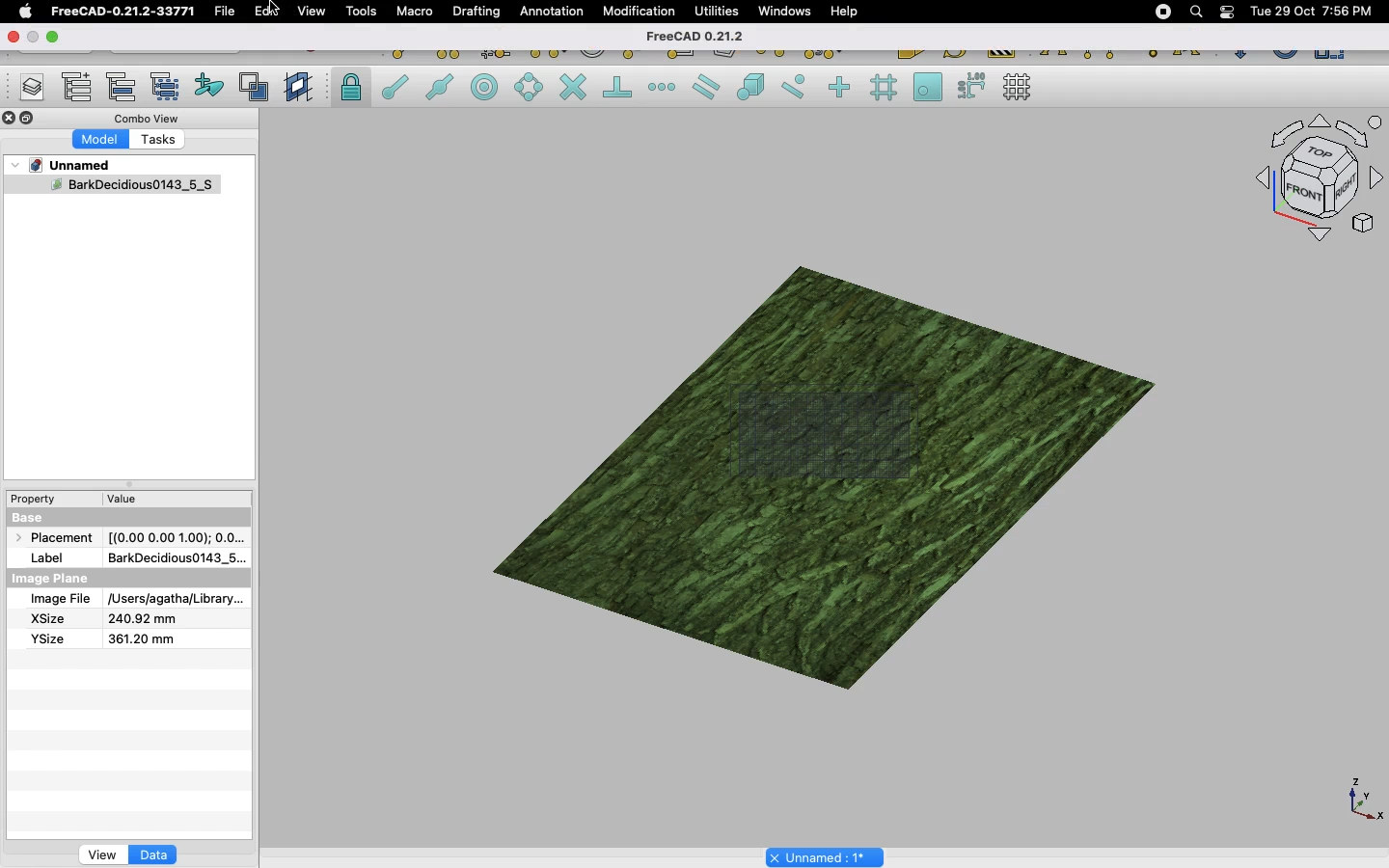 The width and height of the screenshot is (1389, 868). What do you see at coordinates (52, 556) in the screenshot?
I see `label` at bounding box center [52, 556].